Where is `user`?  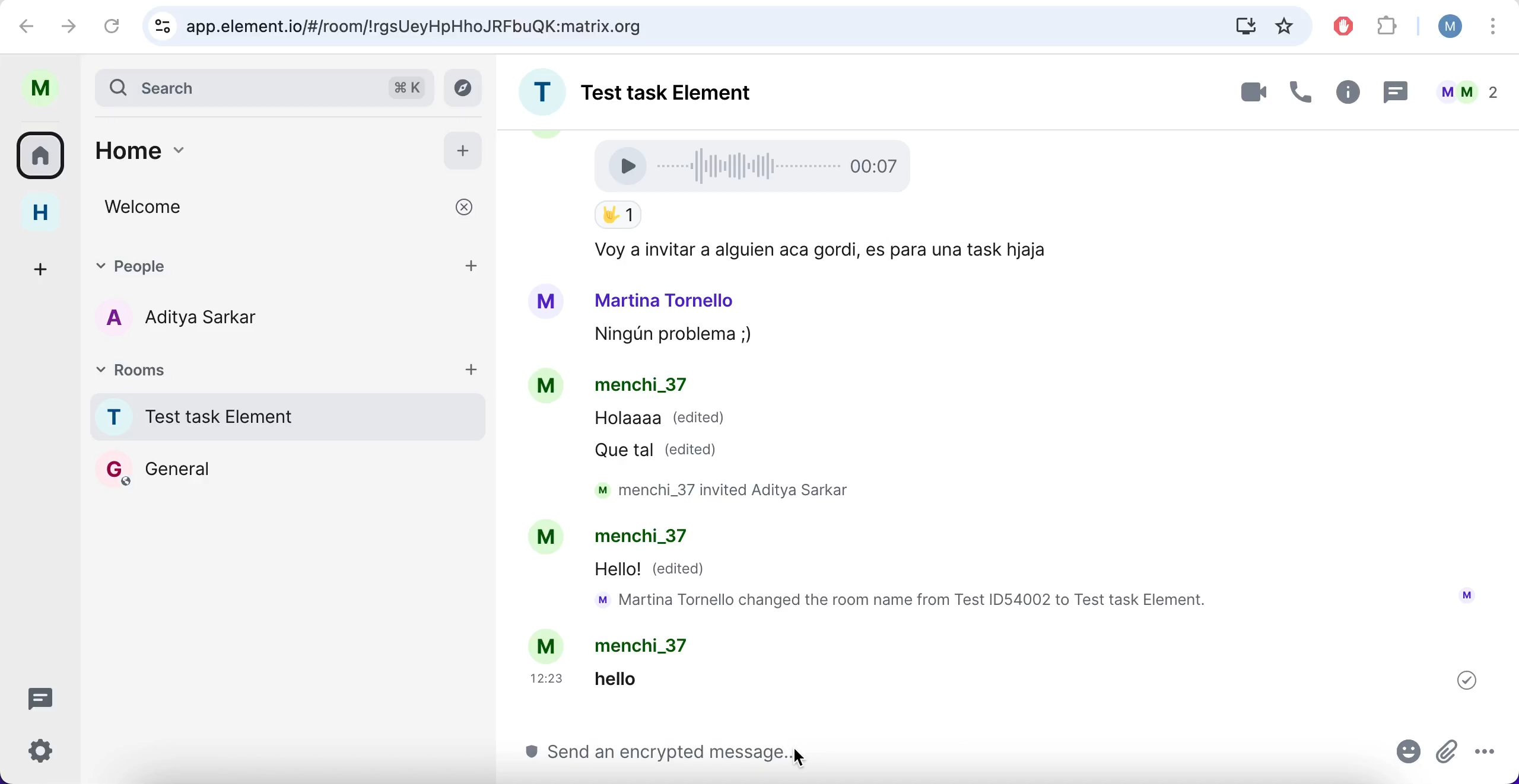 user is located at coordinates (1445, 26).